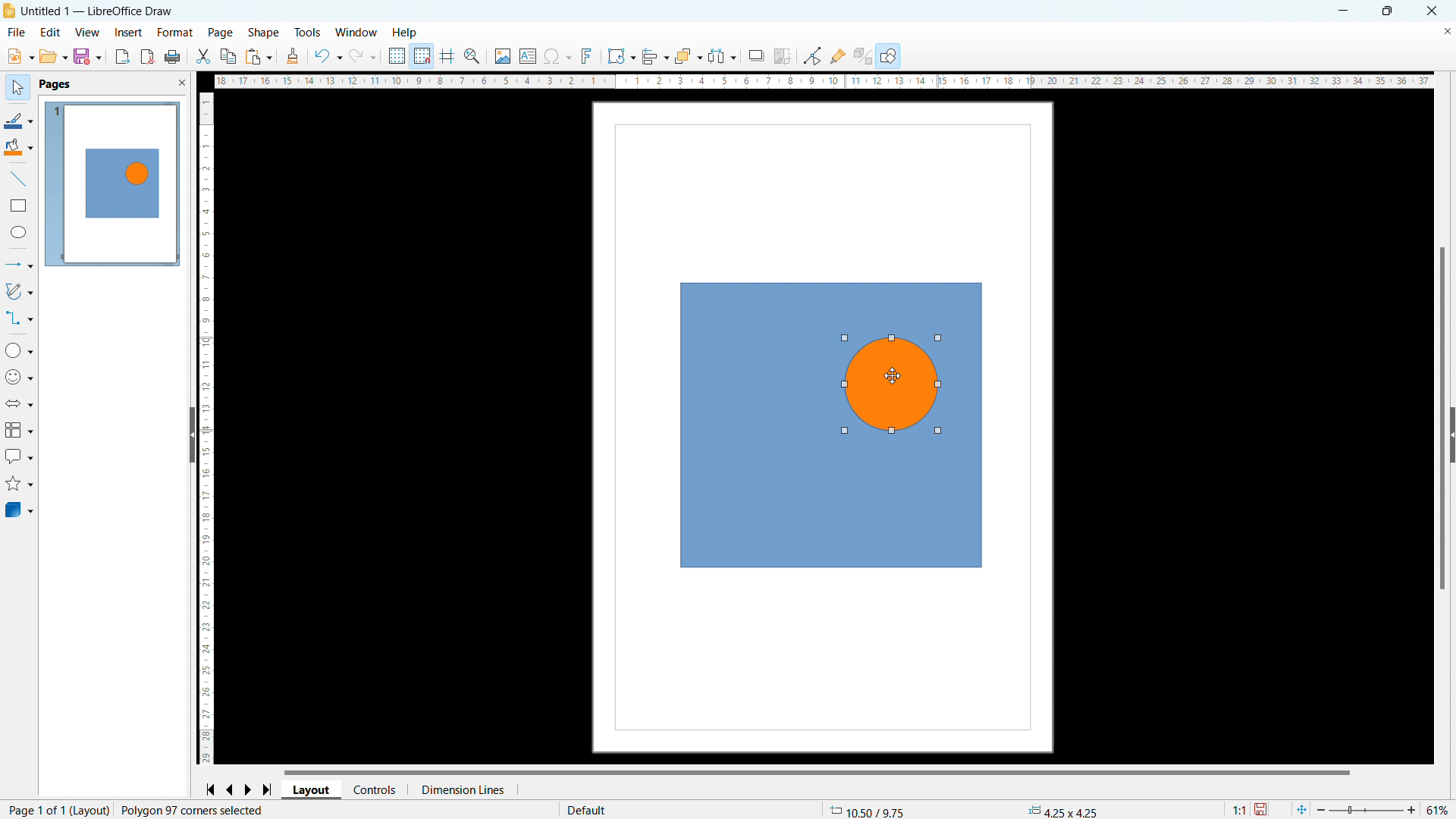  I want to click on layout, so click(311, 790).